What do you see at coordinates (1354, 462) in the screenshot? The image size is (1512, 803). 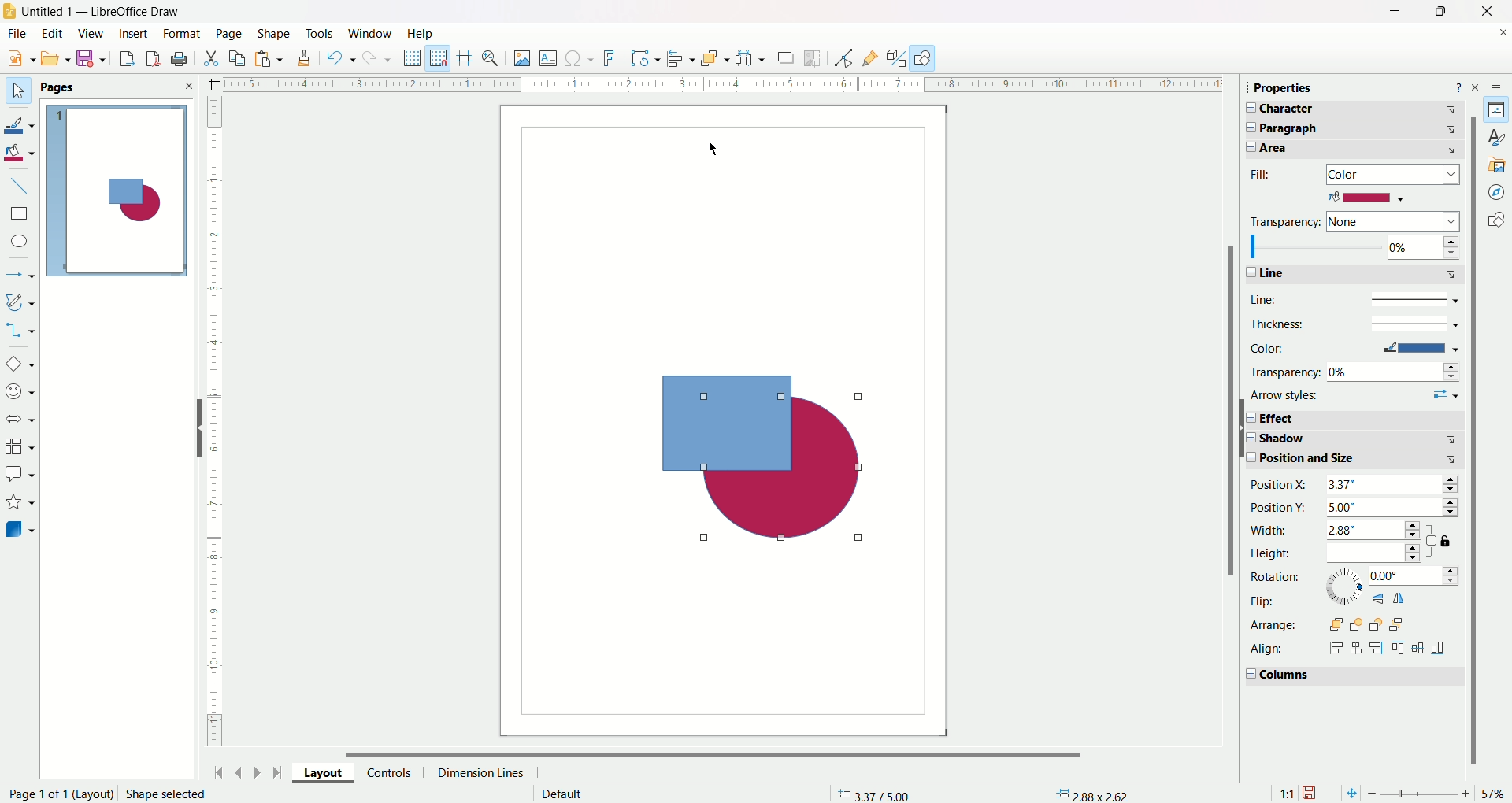 I see `position and size` at bounding box center [1354, 462].